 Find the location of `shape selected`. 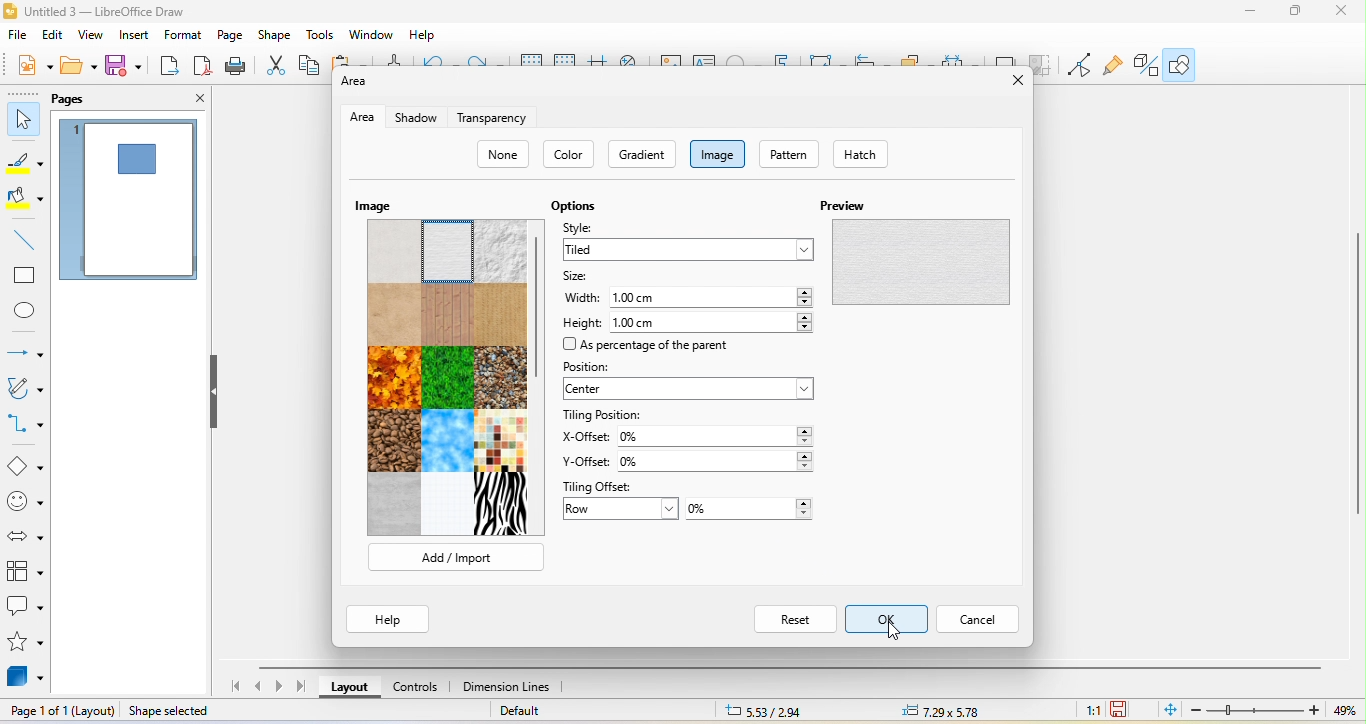

shape selected is located at coordinates (173, 712).